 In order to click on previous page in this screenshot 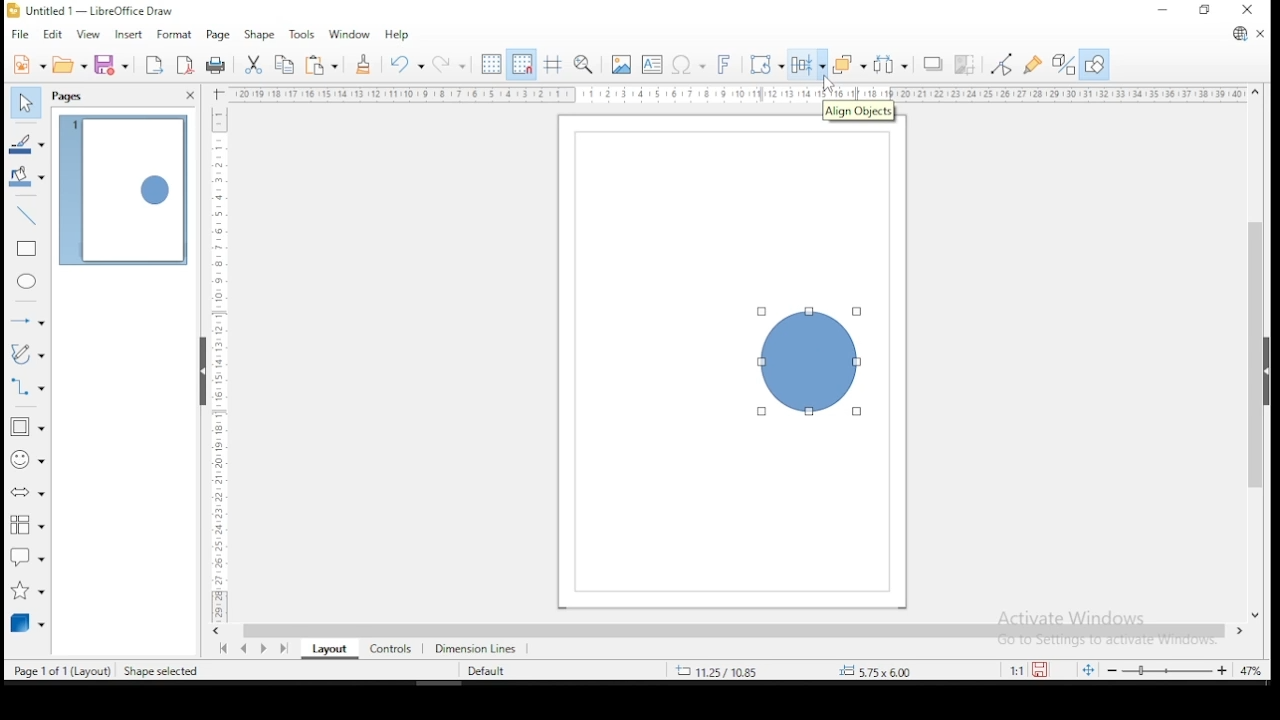, I will do `click(247, 648)`.